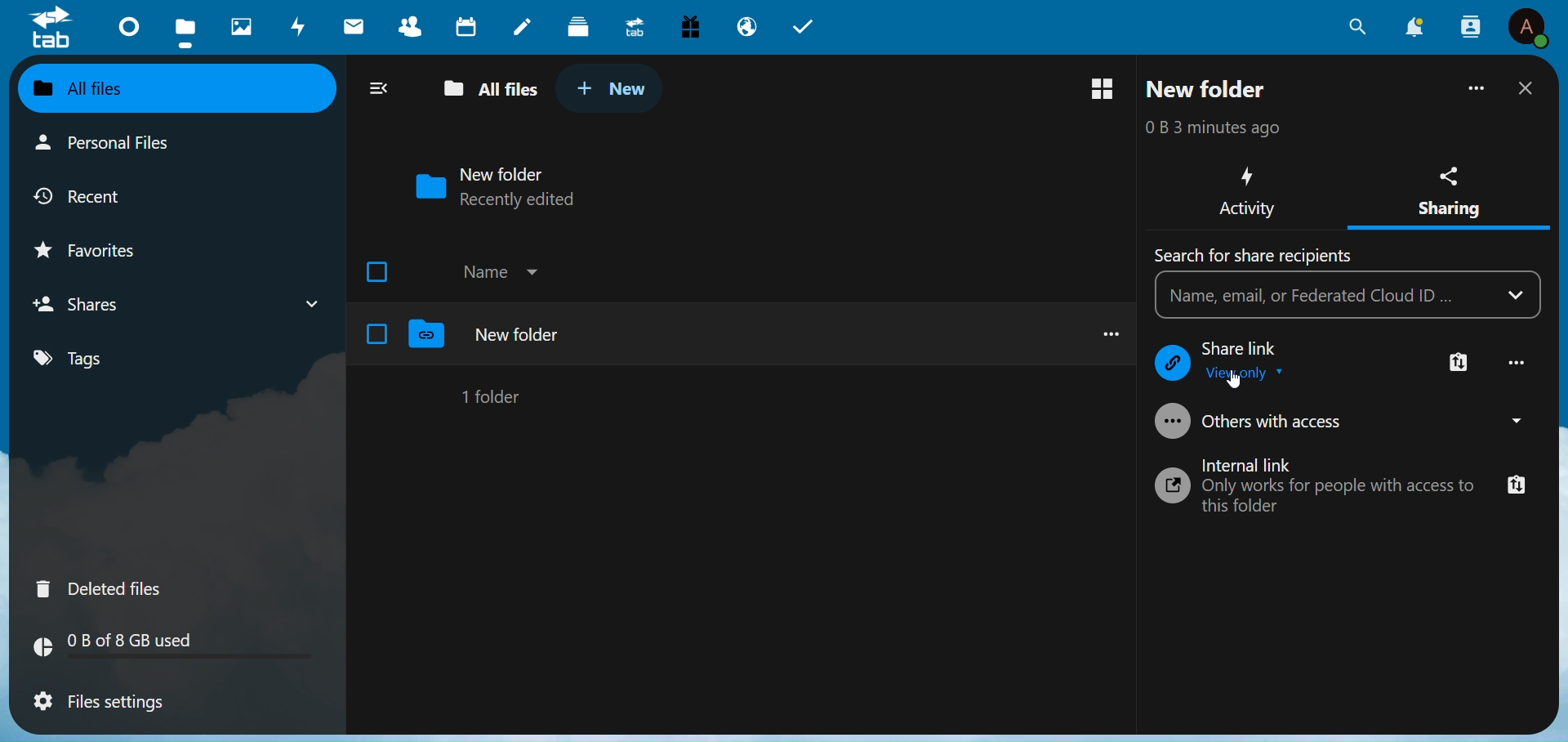  What do you see at coordinates (1478, 87) in the screenshot?
I see ` More Options` at bounding box center [1478, 87].